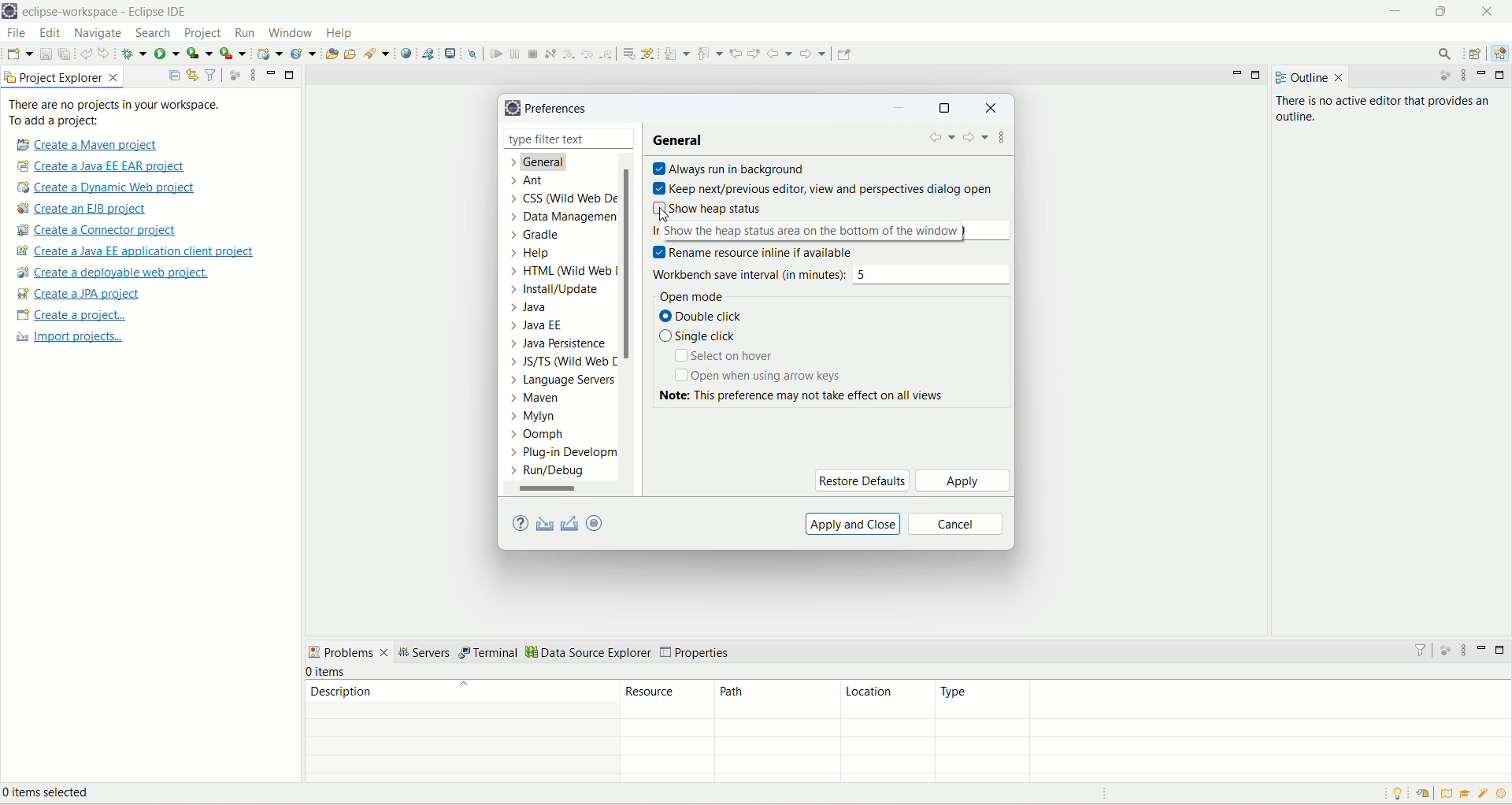  Describe the element at coordinates (243, 32) in the screenshot. I see `run` at that location.